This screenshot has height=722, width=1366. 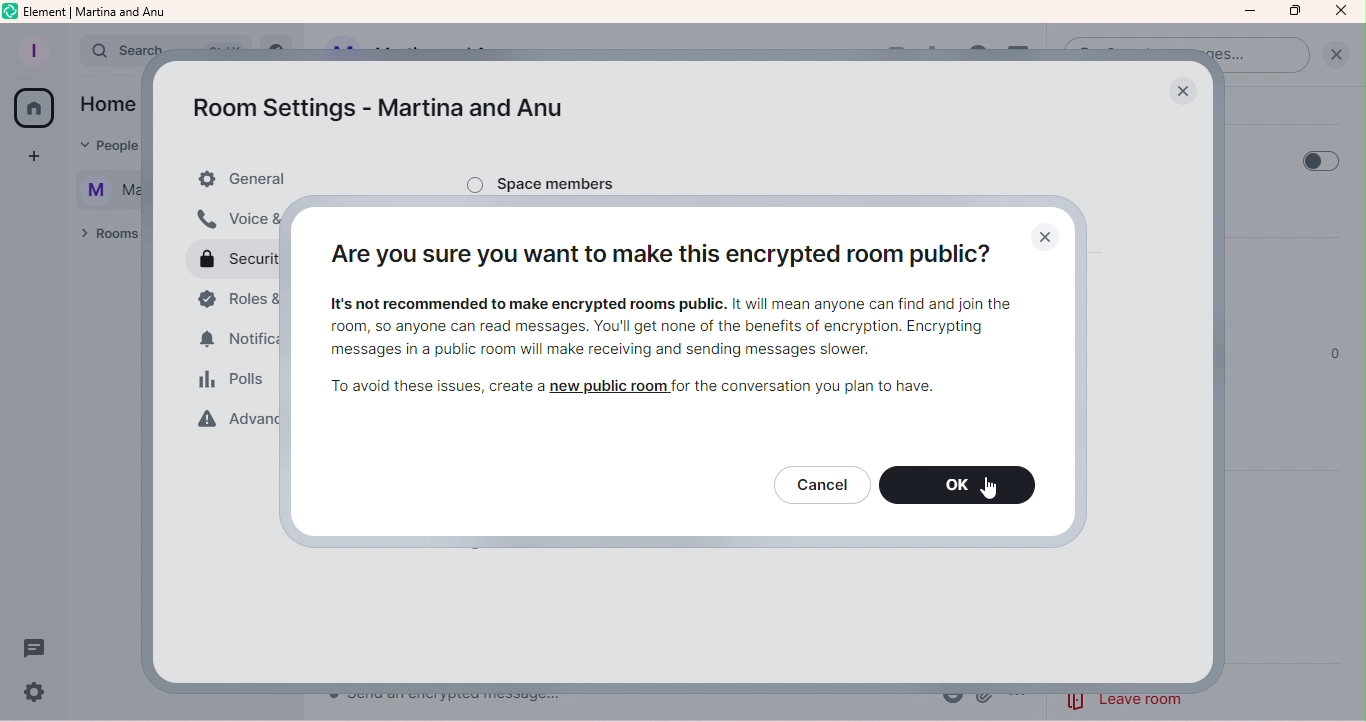 I want to click on General, so click(x=248, y=180).